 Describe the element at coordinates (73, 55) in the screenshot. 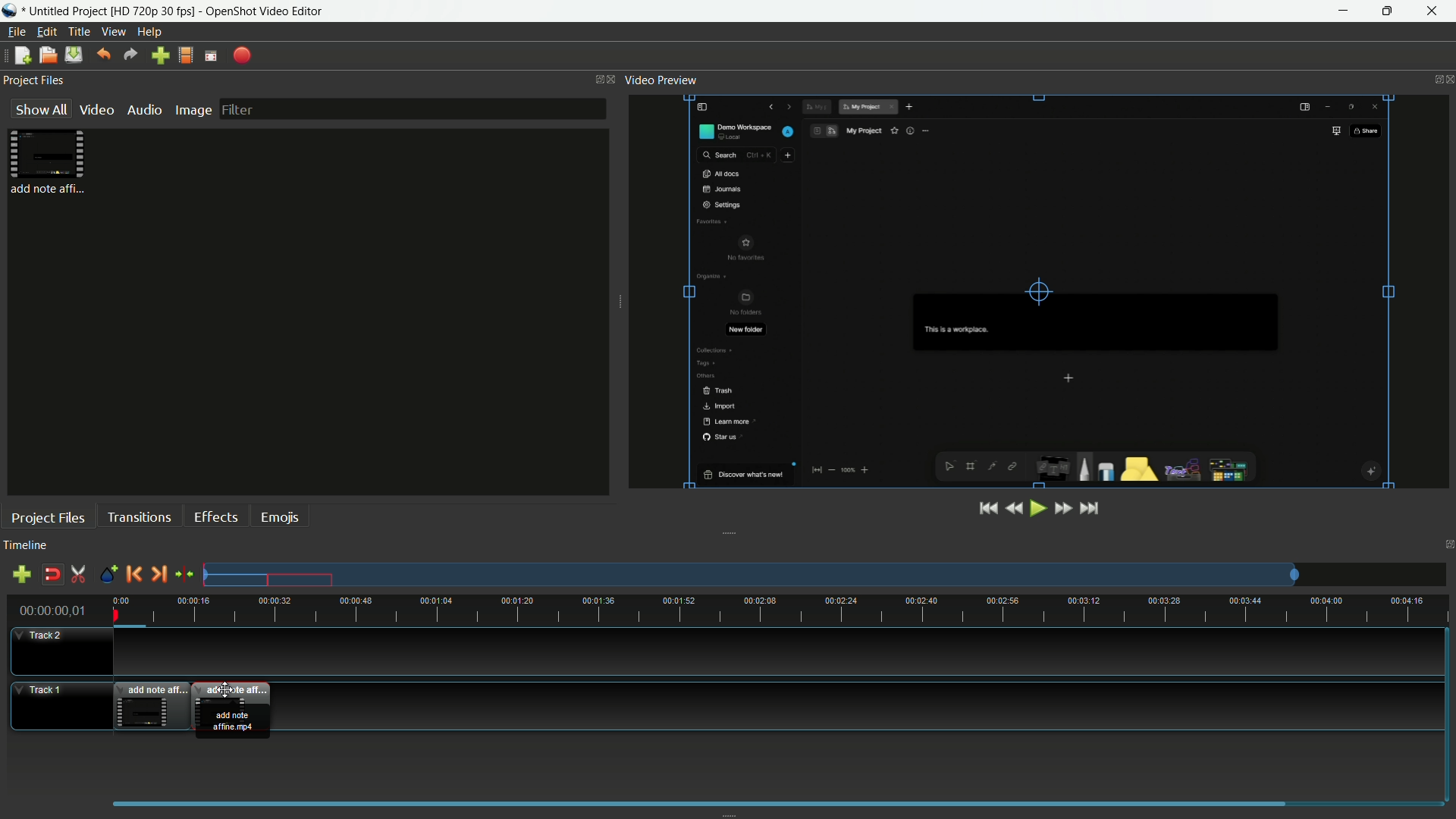

I see `save files` at that location.